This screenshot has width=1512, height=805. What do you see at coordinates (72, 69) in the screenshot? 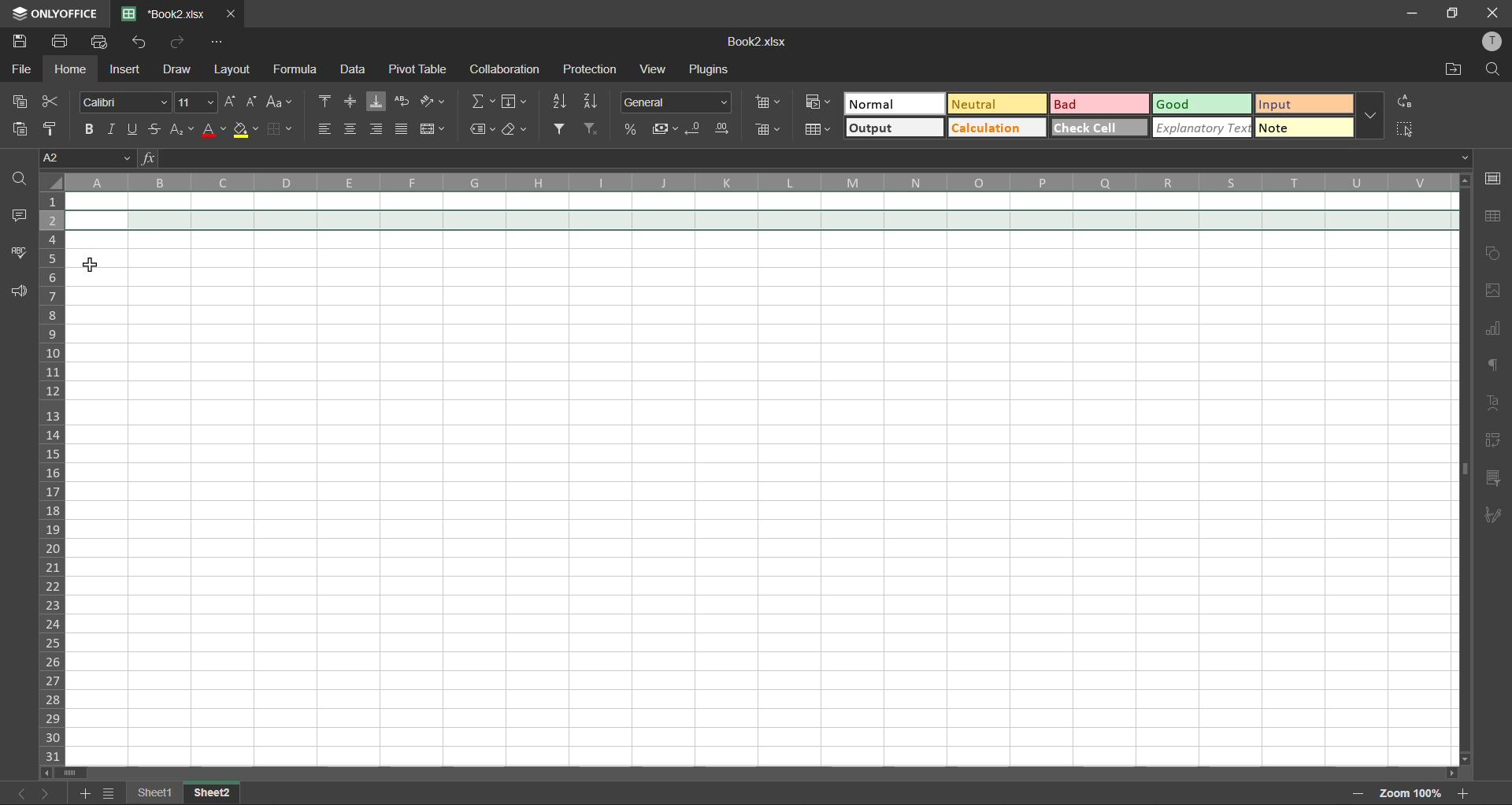
I see `home` at bounding box center [72, 69].